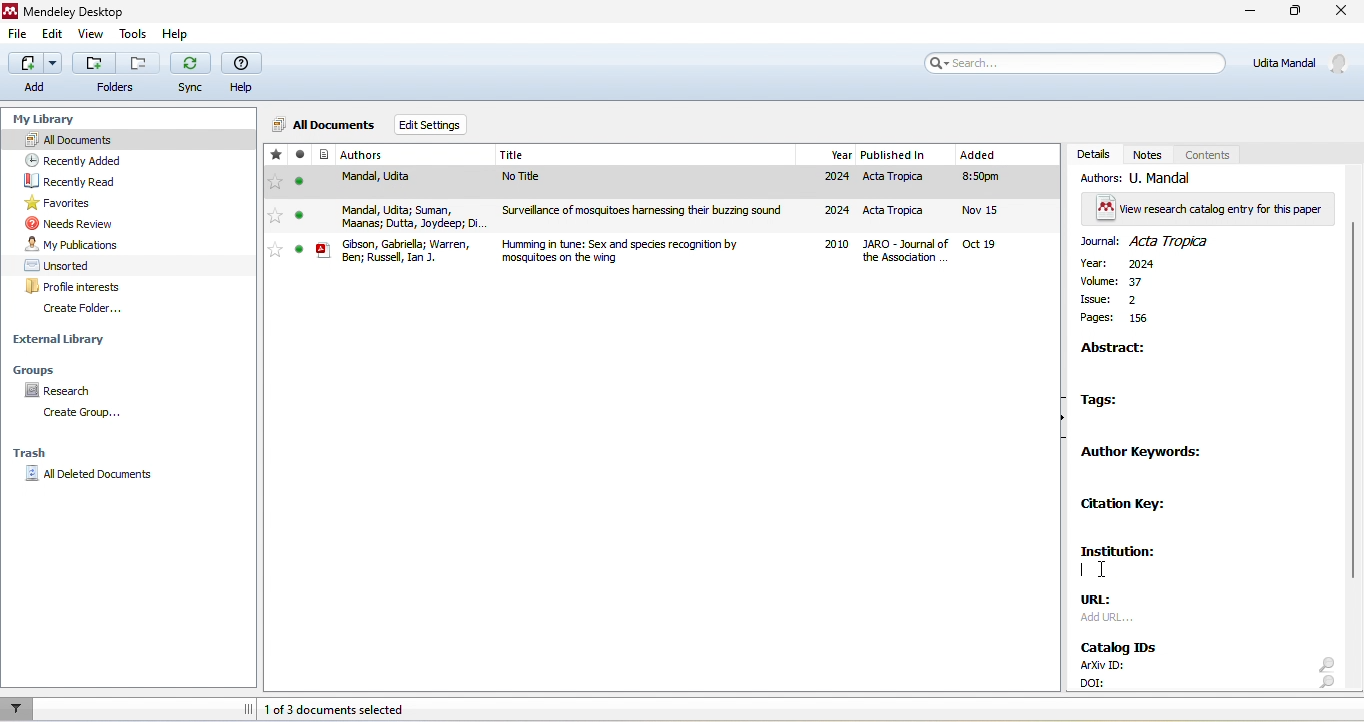  Describe the element at coordinates (647, 155) in the screenshot. I see `title` at that location.